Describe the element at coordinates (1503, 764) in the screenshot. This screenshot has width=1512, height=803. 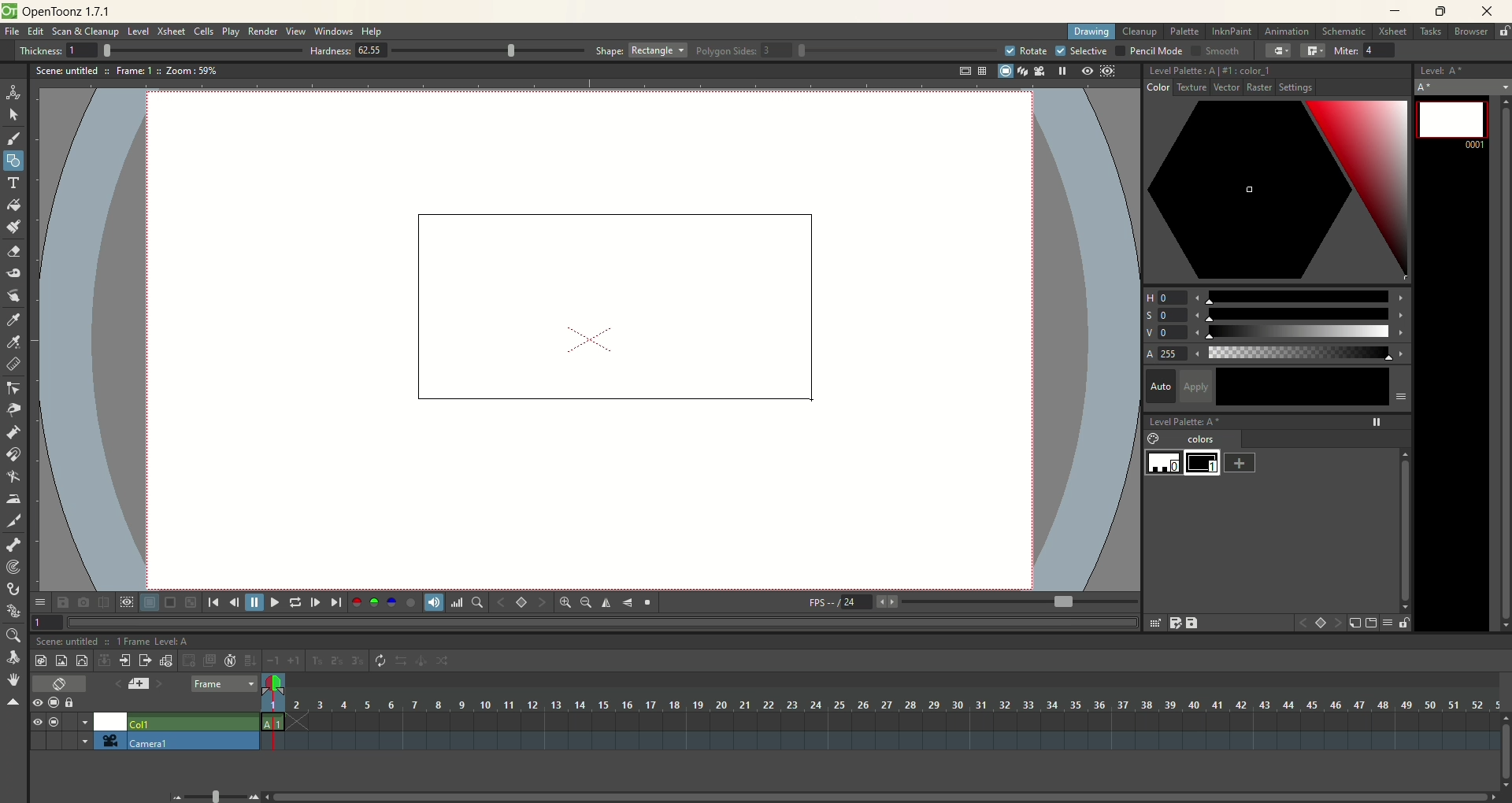
I see `vertical scrollbar` at that location.